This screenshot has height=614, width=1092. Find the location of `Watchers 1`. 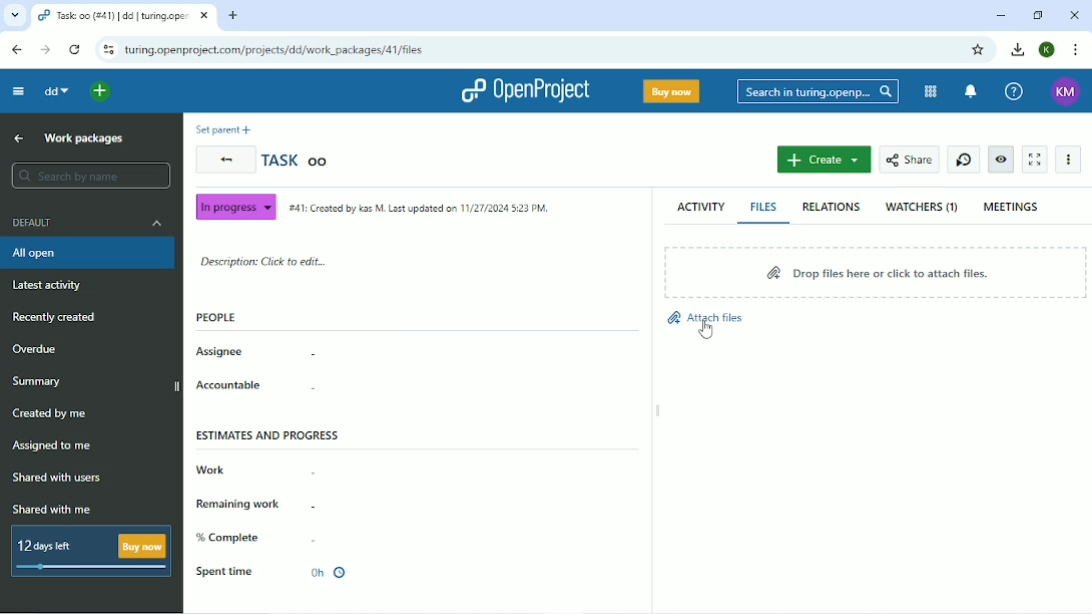

Watchers 1 is located at coordinates (922, 208).